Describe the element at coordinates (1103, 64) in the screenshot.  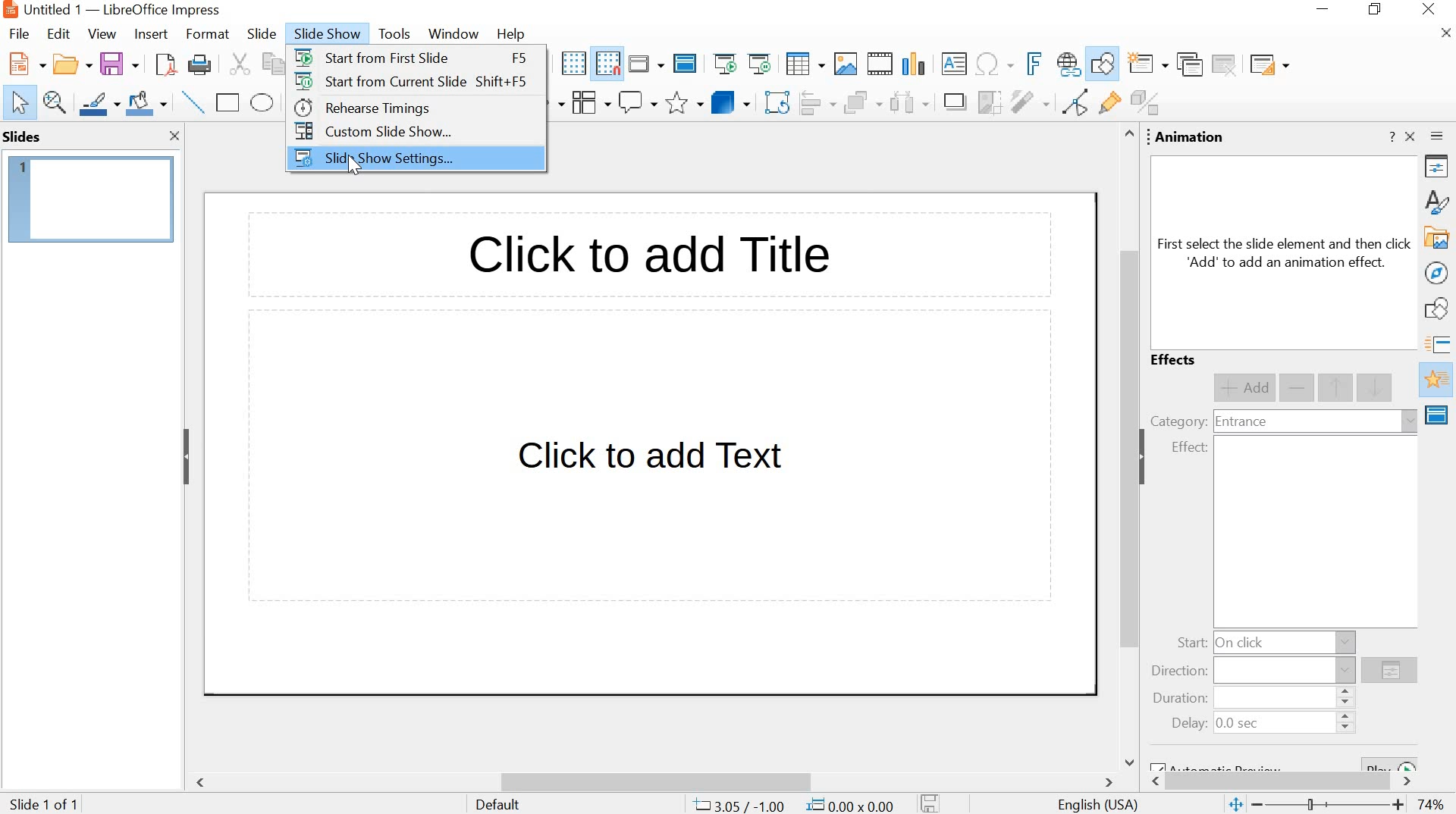
I see `show draw functions` at that location.